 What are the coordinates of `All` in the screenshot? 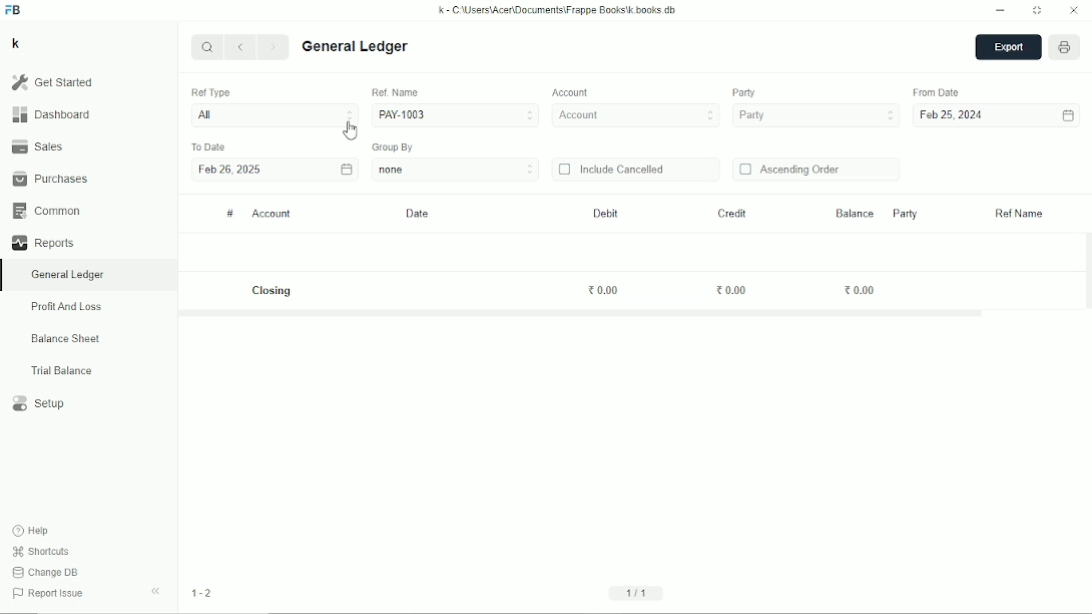 It's located at (274, 116).